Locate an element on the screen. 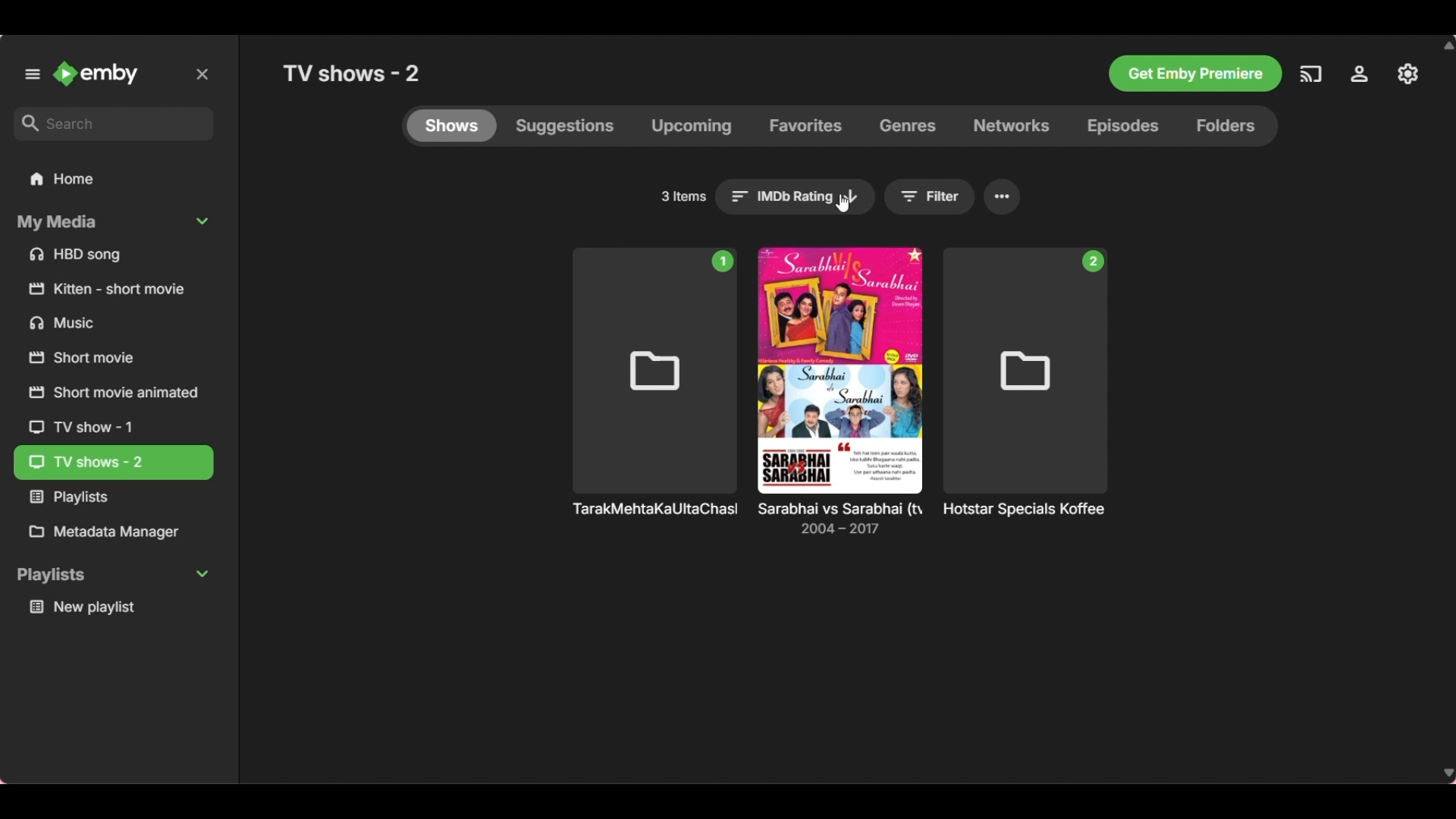  Collapse My Media is located at coordinates (112, 223).